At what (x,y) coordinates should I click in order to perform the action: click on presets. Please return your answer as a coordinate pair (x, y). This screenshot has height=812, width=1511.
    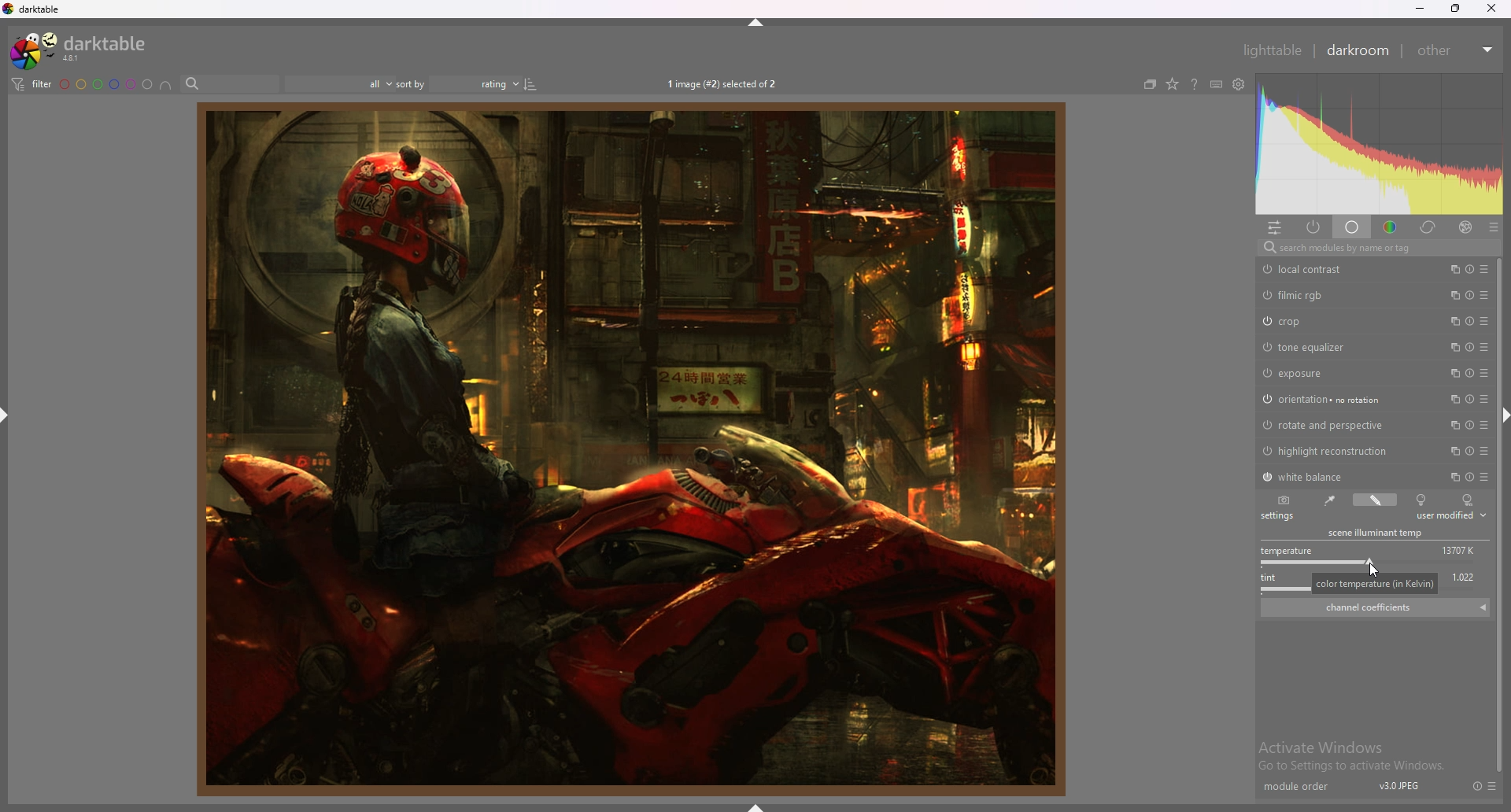
    Looking at the image, I should click on (1484, 451).